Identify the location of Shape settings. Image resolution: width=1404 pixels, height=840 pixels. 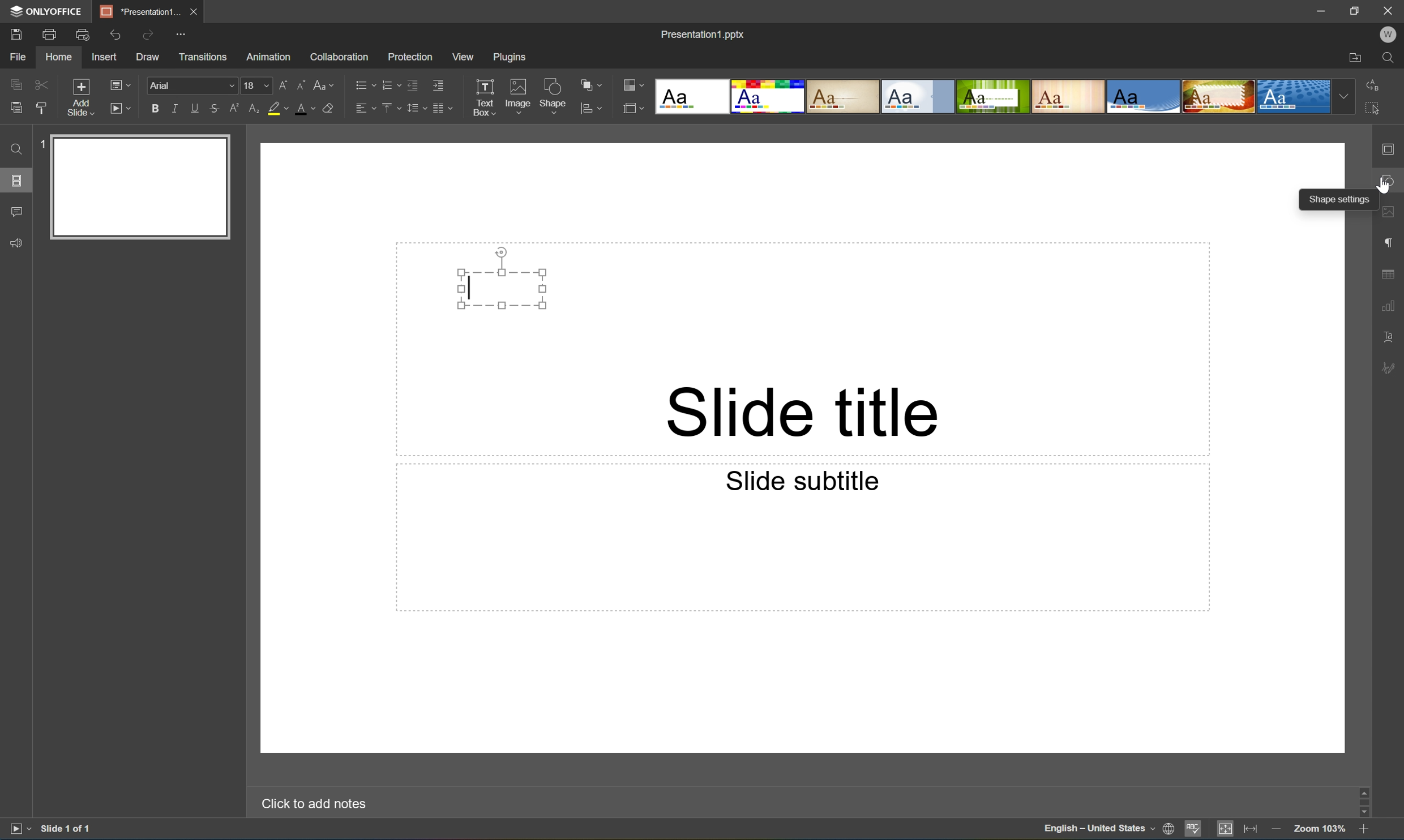
(1341, 200).